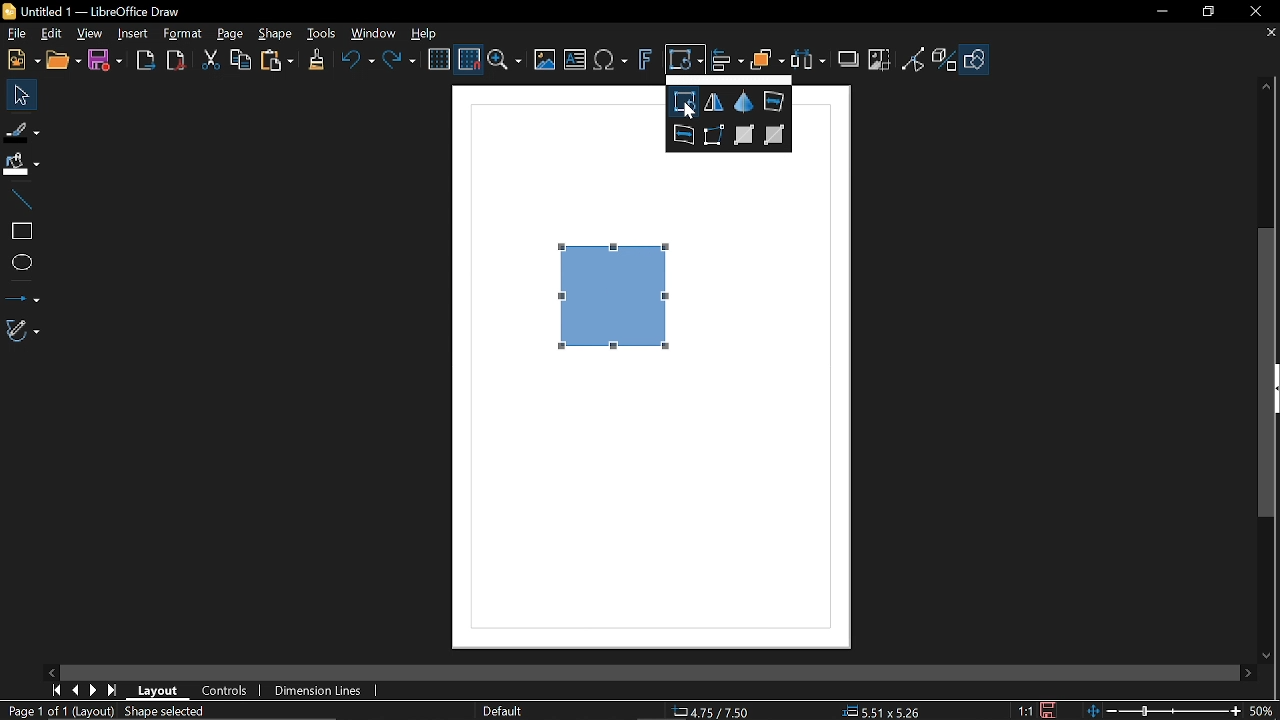 This screenshot has width=1280, height=720. Describe the element at coordinates (398, 62) in the screenshot. I see `Redo` at that location.